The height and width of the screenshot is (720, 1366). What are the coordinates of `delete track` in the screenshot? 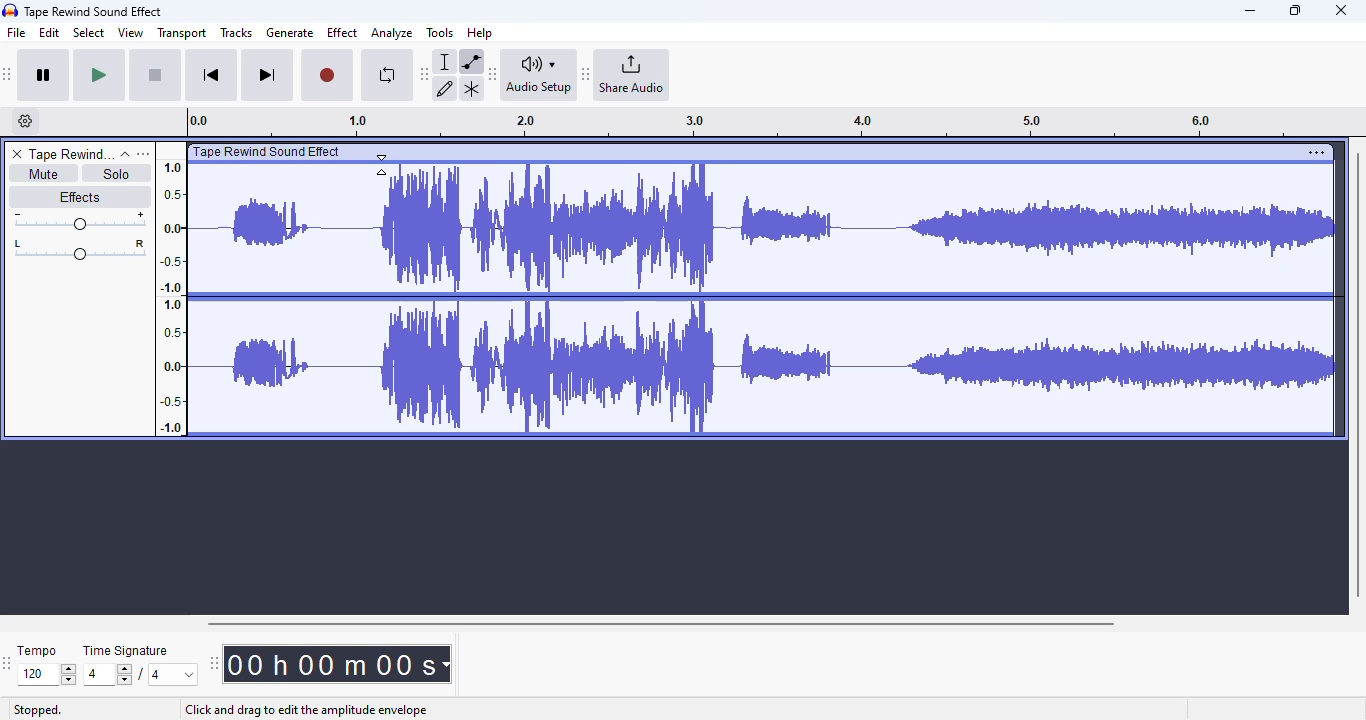 It's located at (17, 154).